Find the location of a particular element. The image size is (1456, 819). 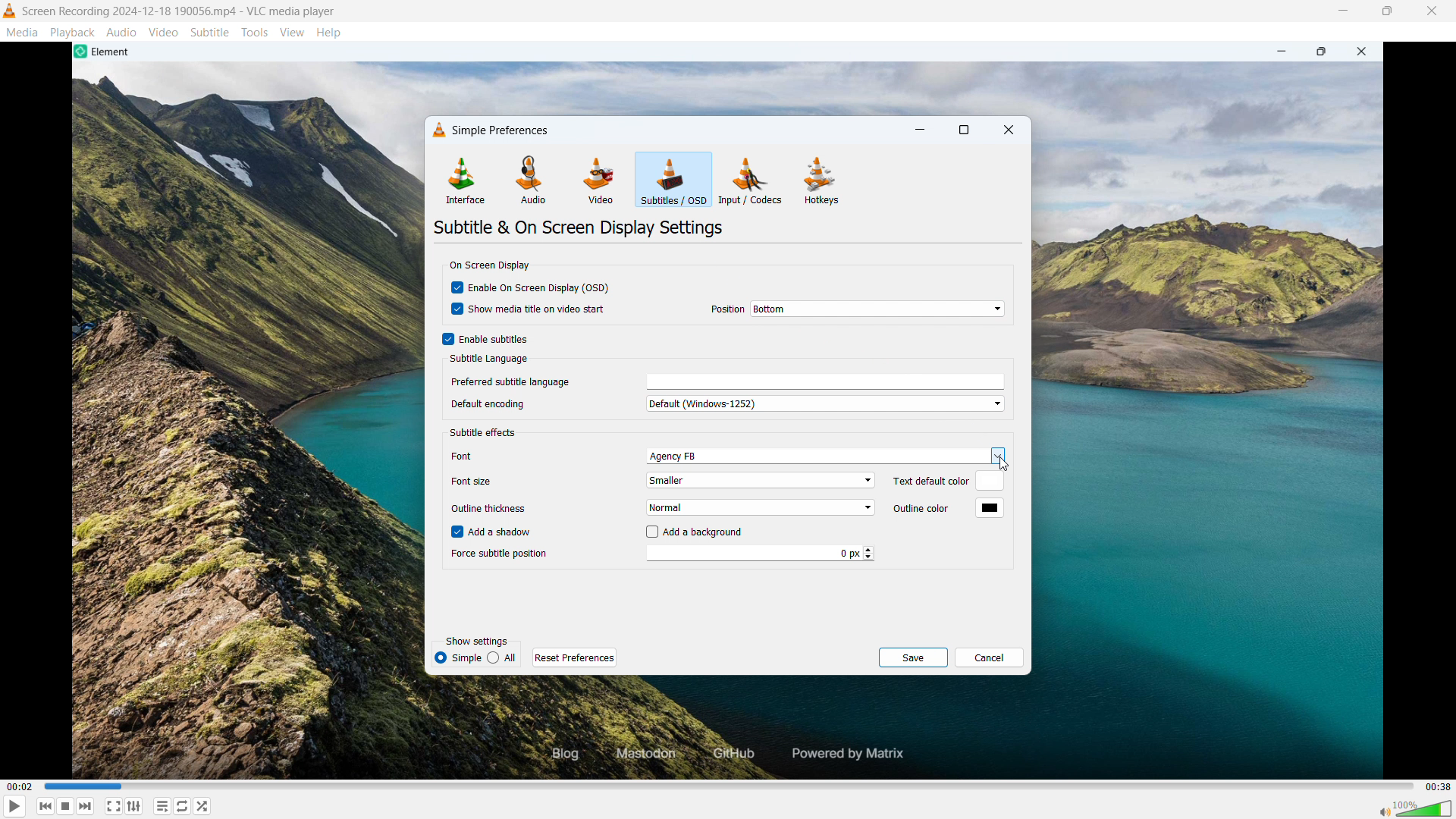

show media title on video start is located at coordinates (532, 309).